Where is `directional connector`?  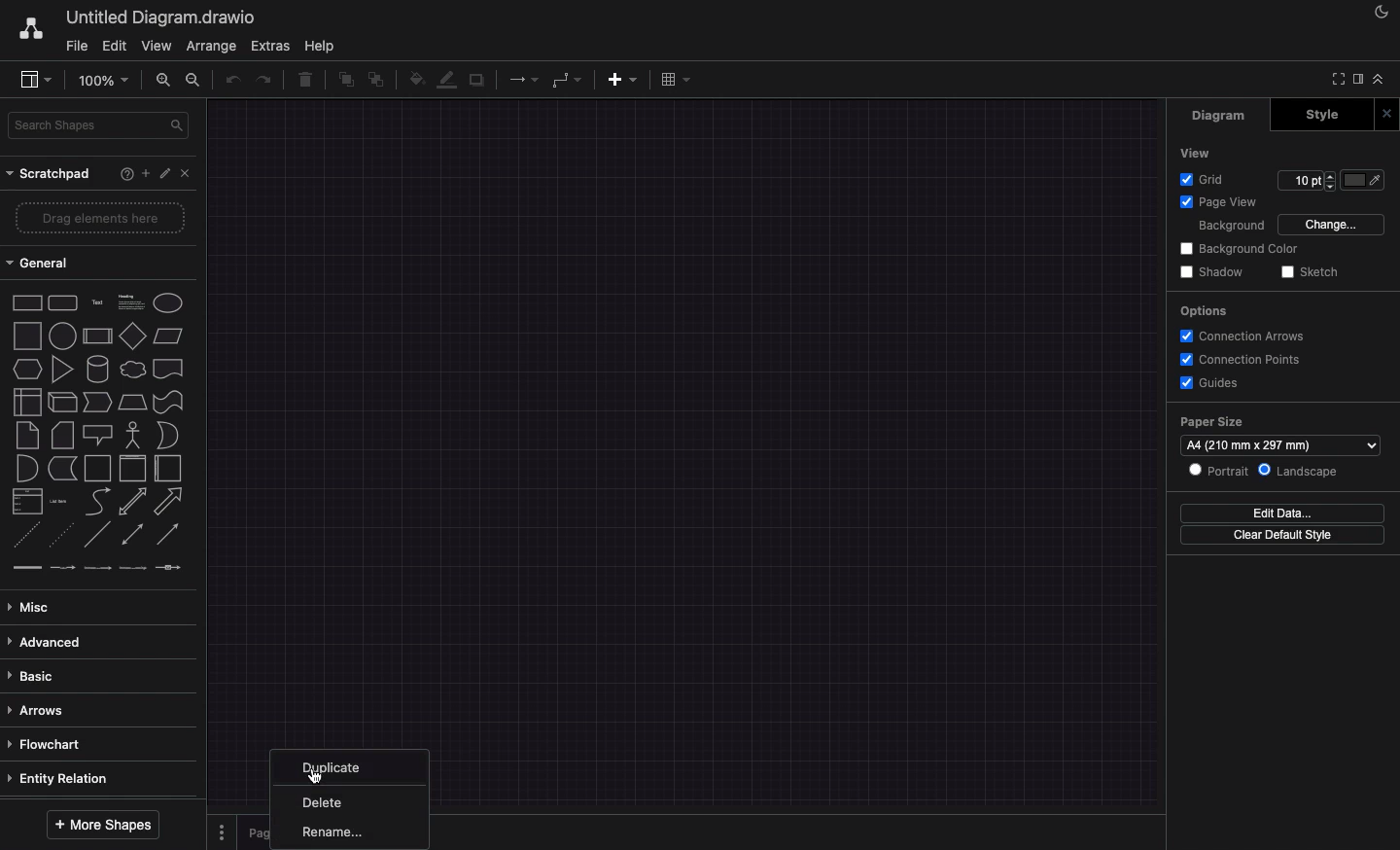 directional connector is located at coordinates (167, 534).